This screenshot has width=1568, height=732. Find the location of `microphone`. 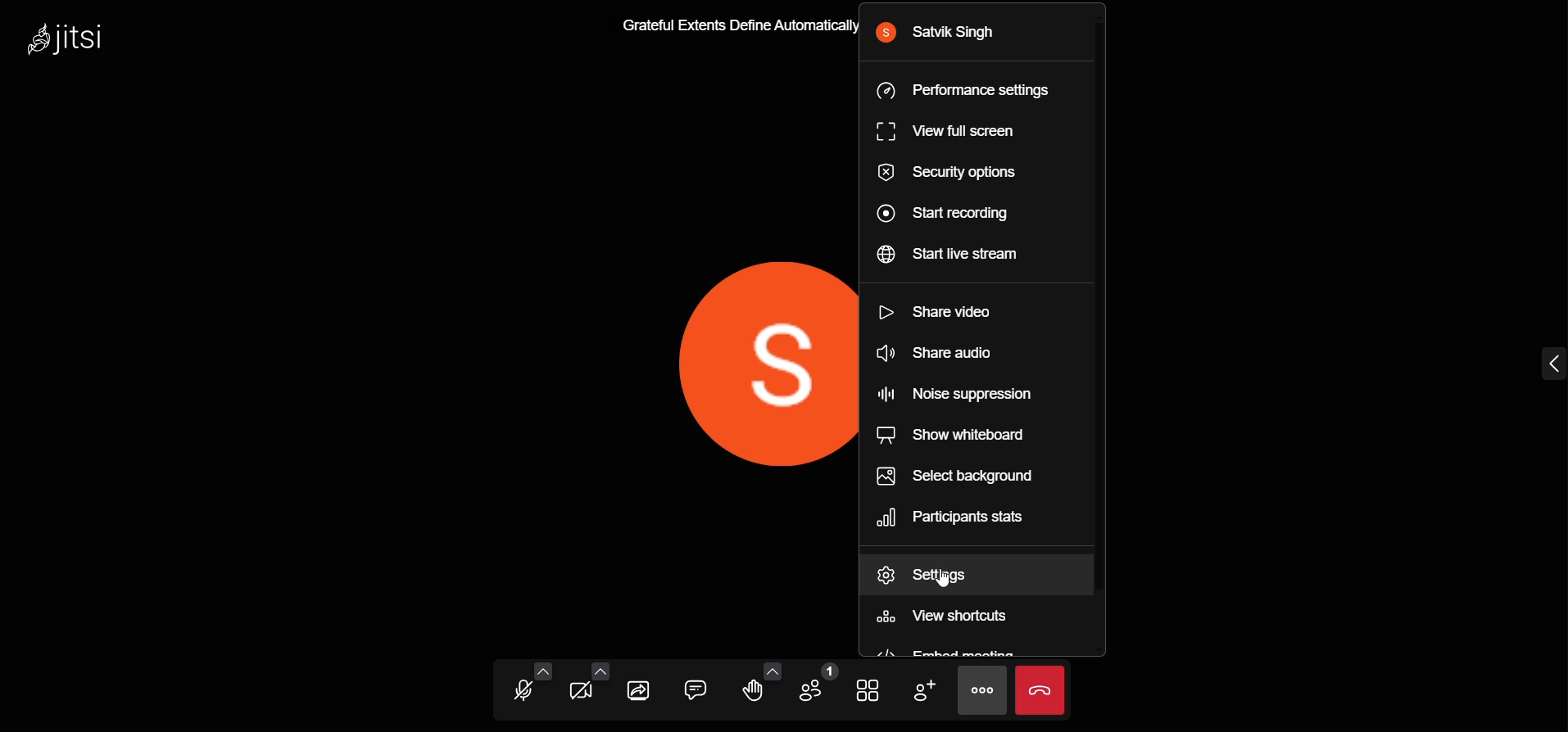

microphone is located at coordinates (523, 690).